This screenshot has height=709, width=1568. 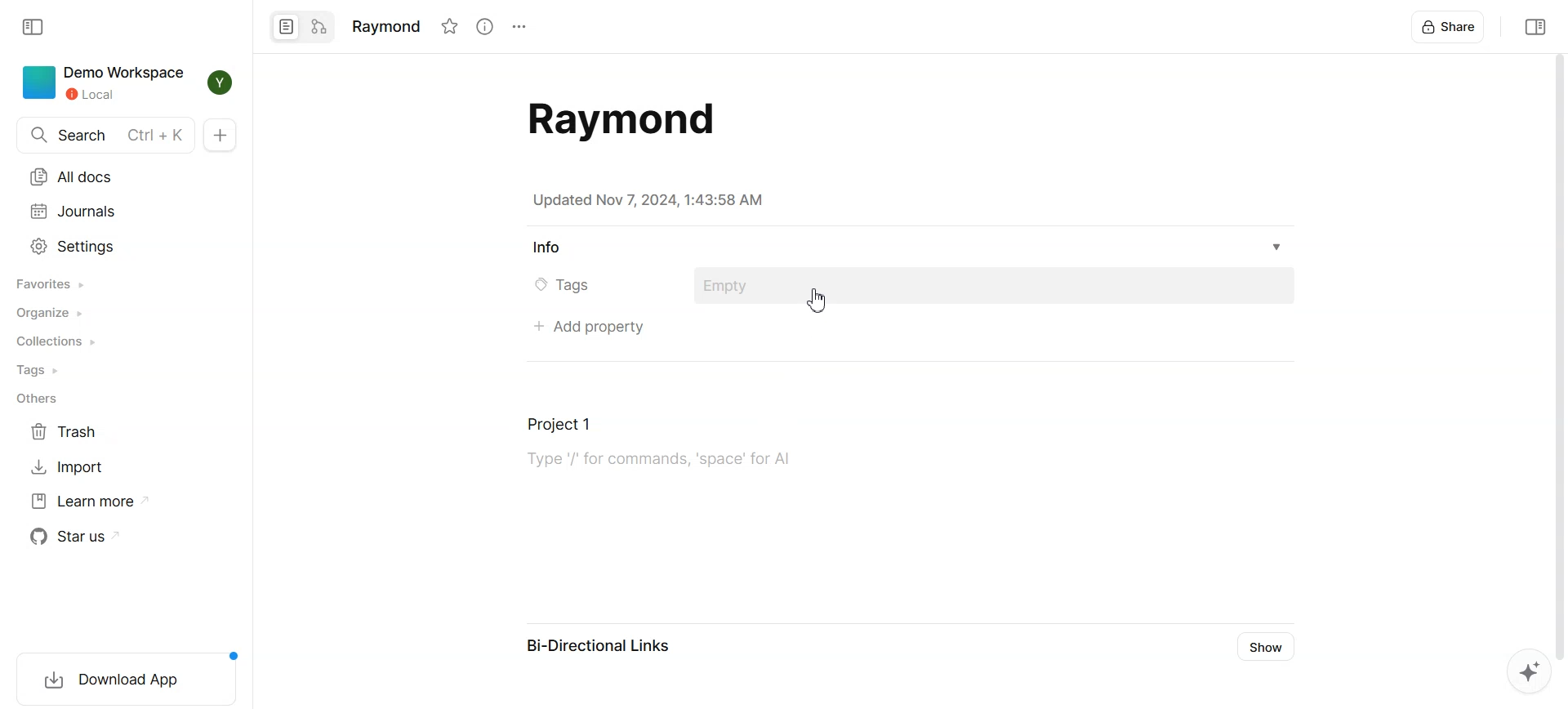 What do you see at coordinates (74, 246) in the screenshot?
I see `Settings` at bounding box center [74, 246].